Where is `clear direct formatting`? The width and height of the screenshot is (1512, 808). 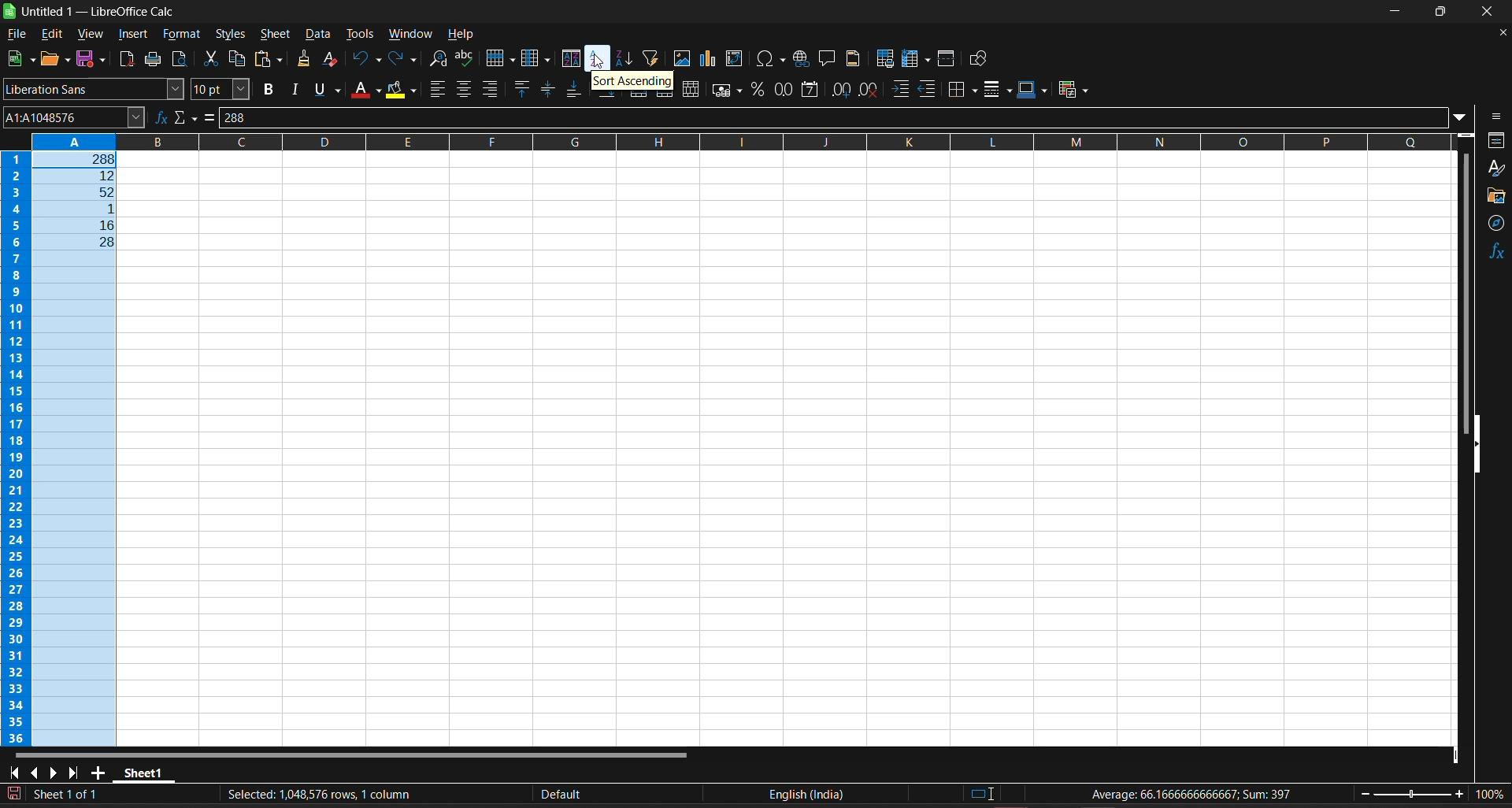
clear direct formatting is located at coordinates (335, 60).